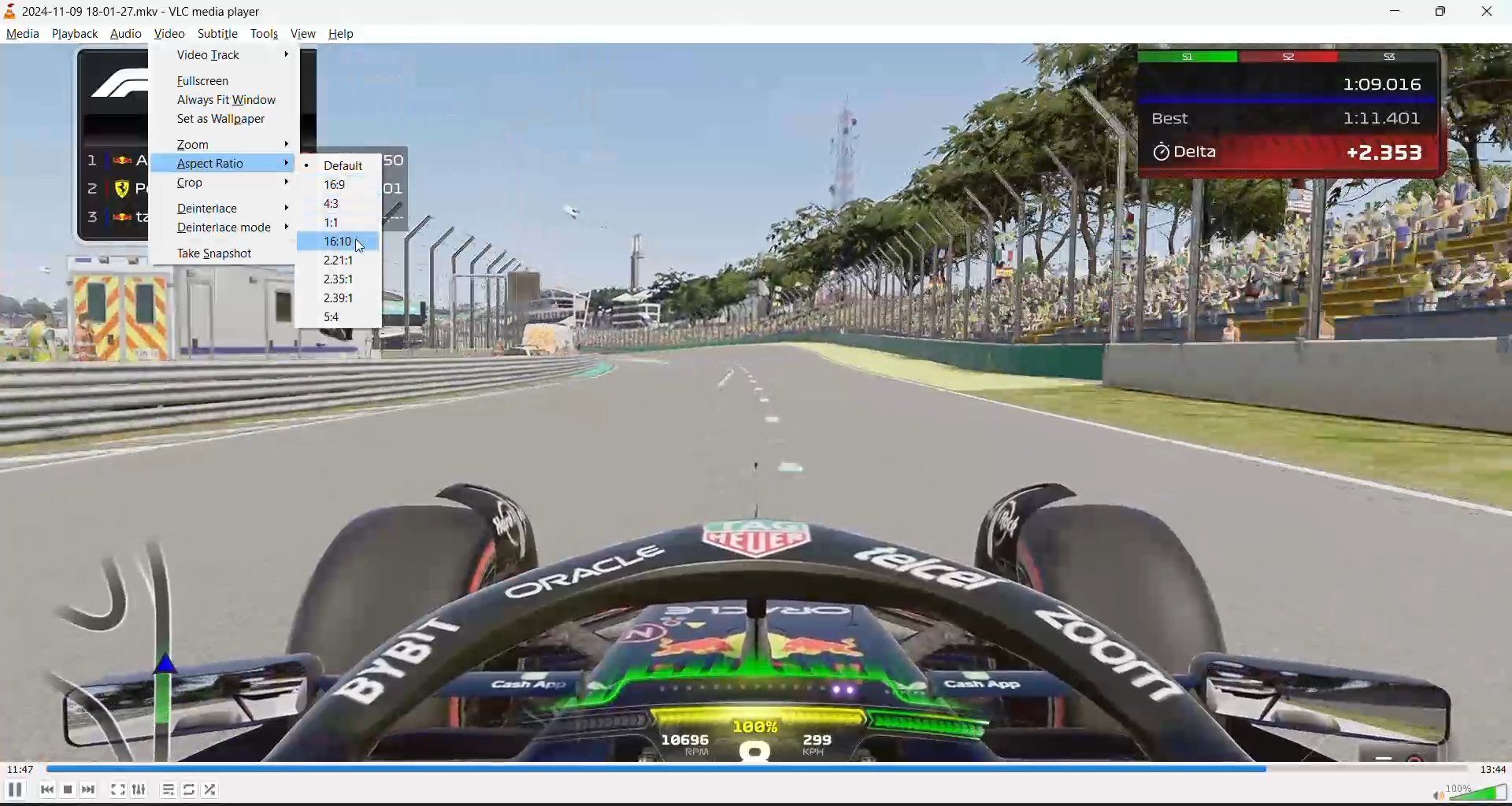 The image size is (1512, 806). I want to click on crop, so click(193, 184).